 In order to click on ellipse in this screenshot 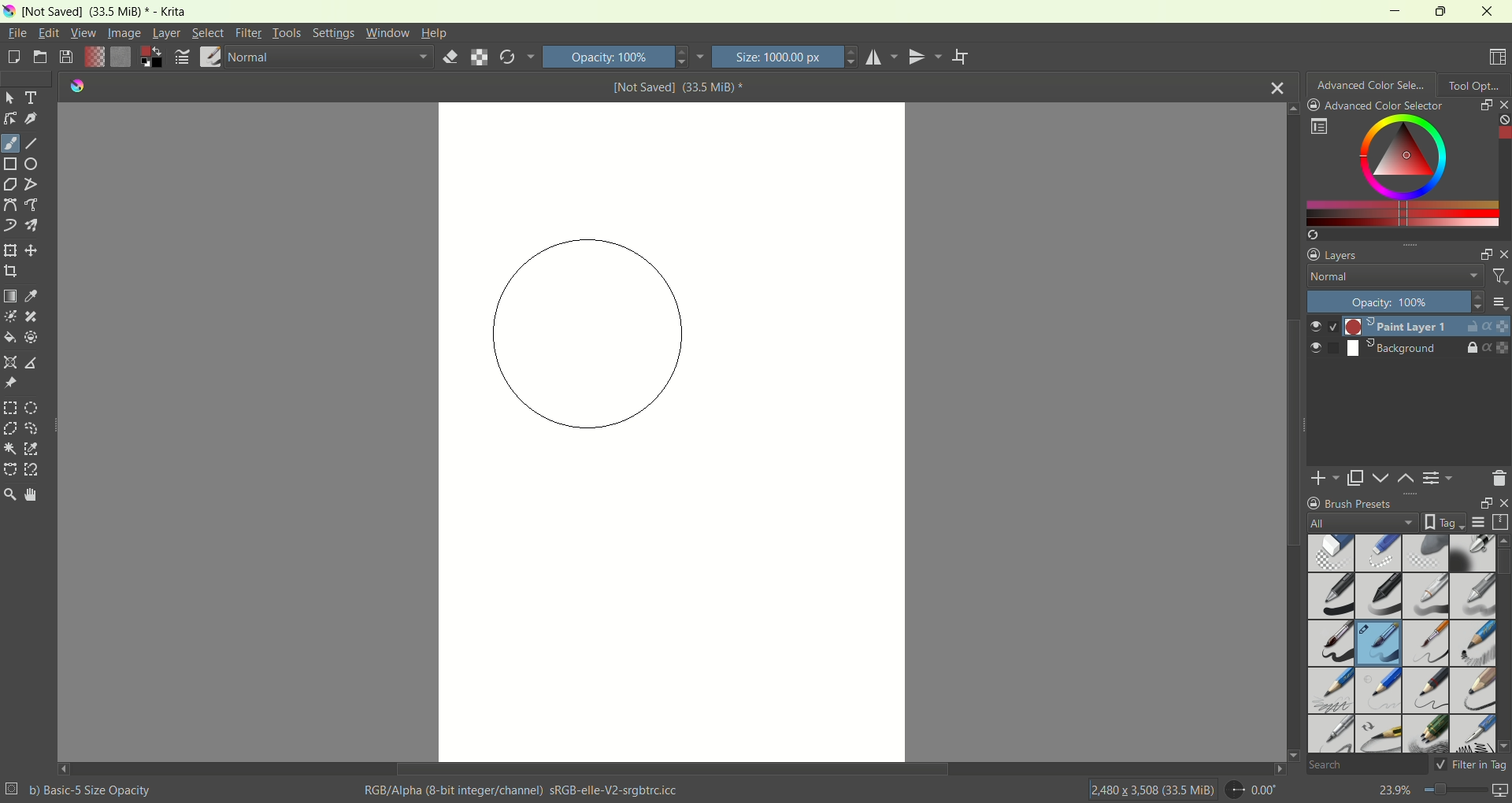, I will do `click(35, 164)`.